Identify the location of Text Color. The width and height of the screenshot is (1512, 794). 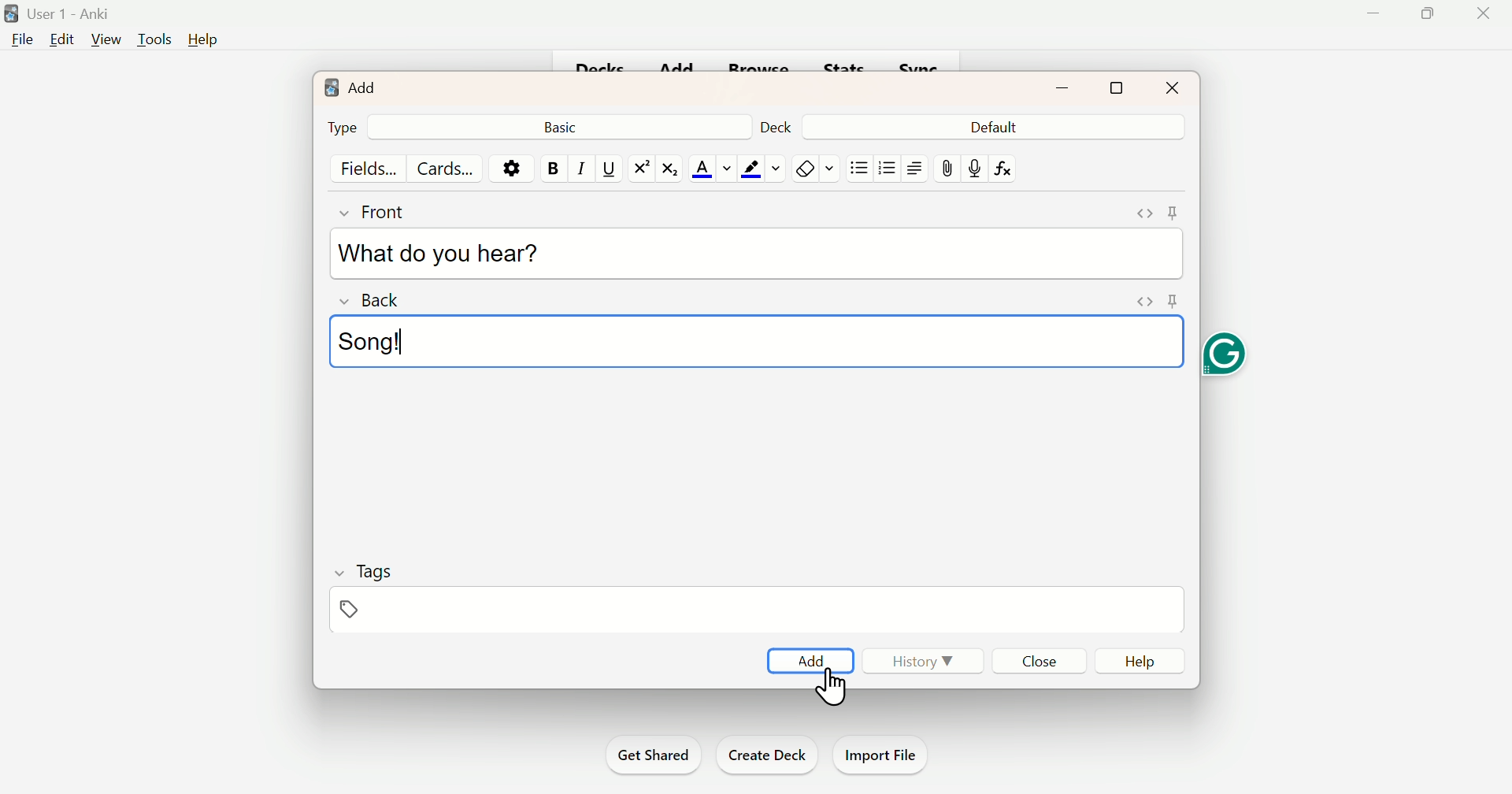
(713, 165).